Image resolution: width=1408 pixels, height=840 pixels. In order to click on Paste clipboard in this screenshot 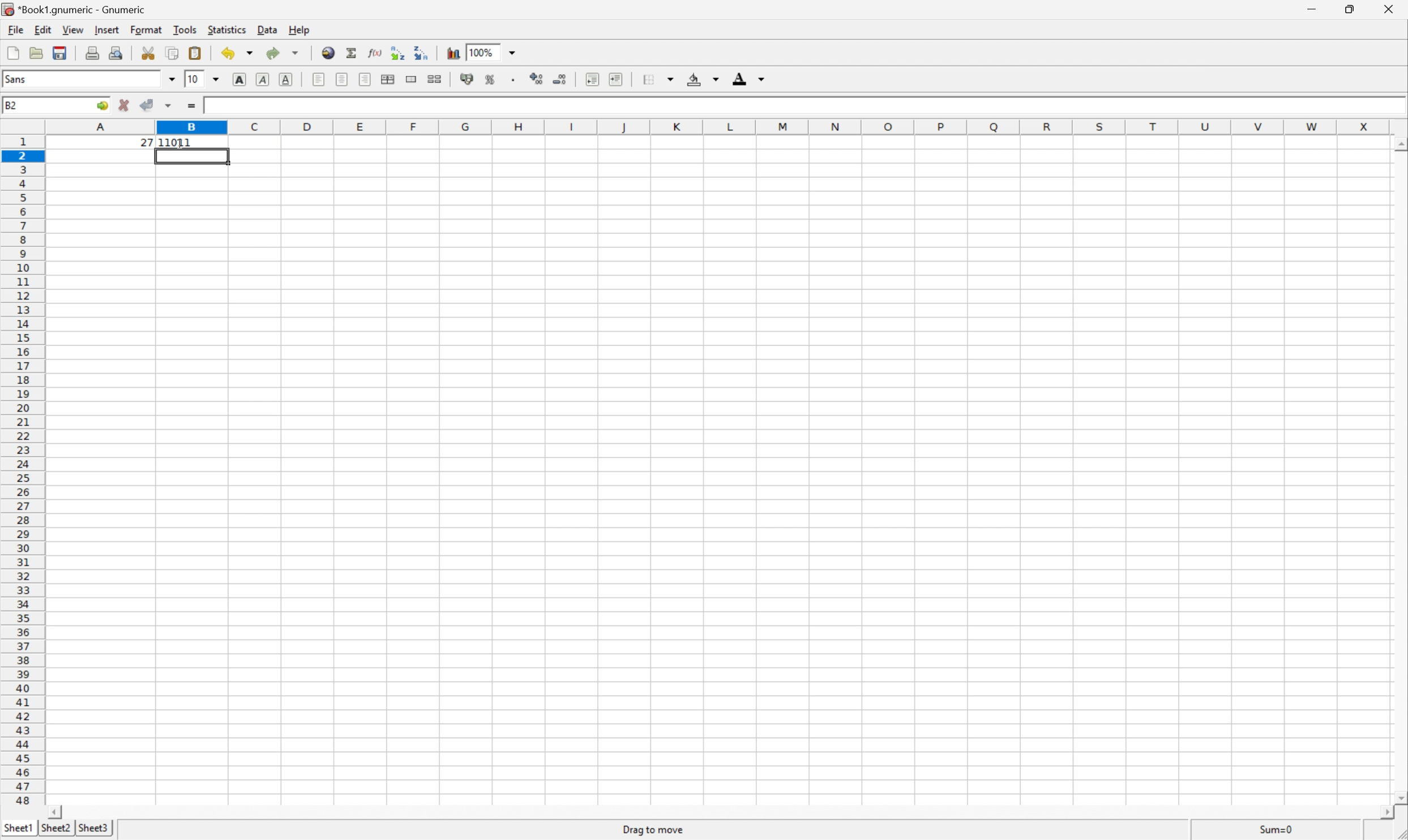, I will do `click(195, 53)`.